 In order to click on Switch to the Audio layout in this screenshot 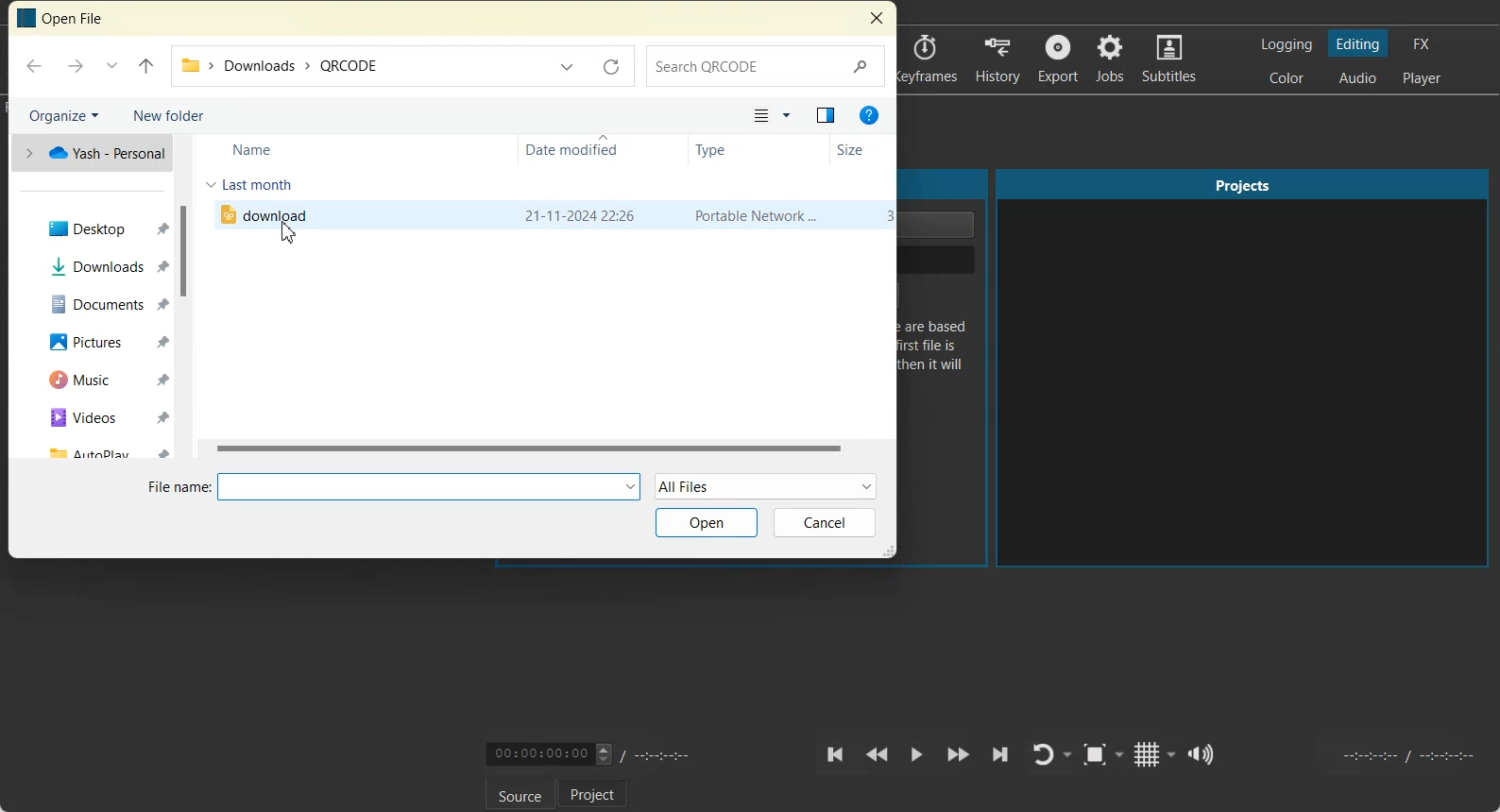, I will do `click(1357, 77)`.